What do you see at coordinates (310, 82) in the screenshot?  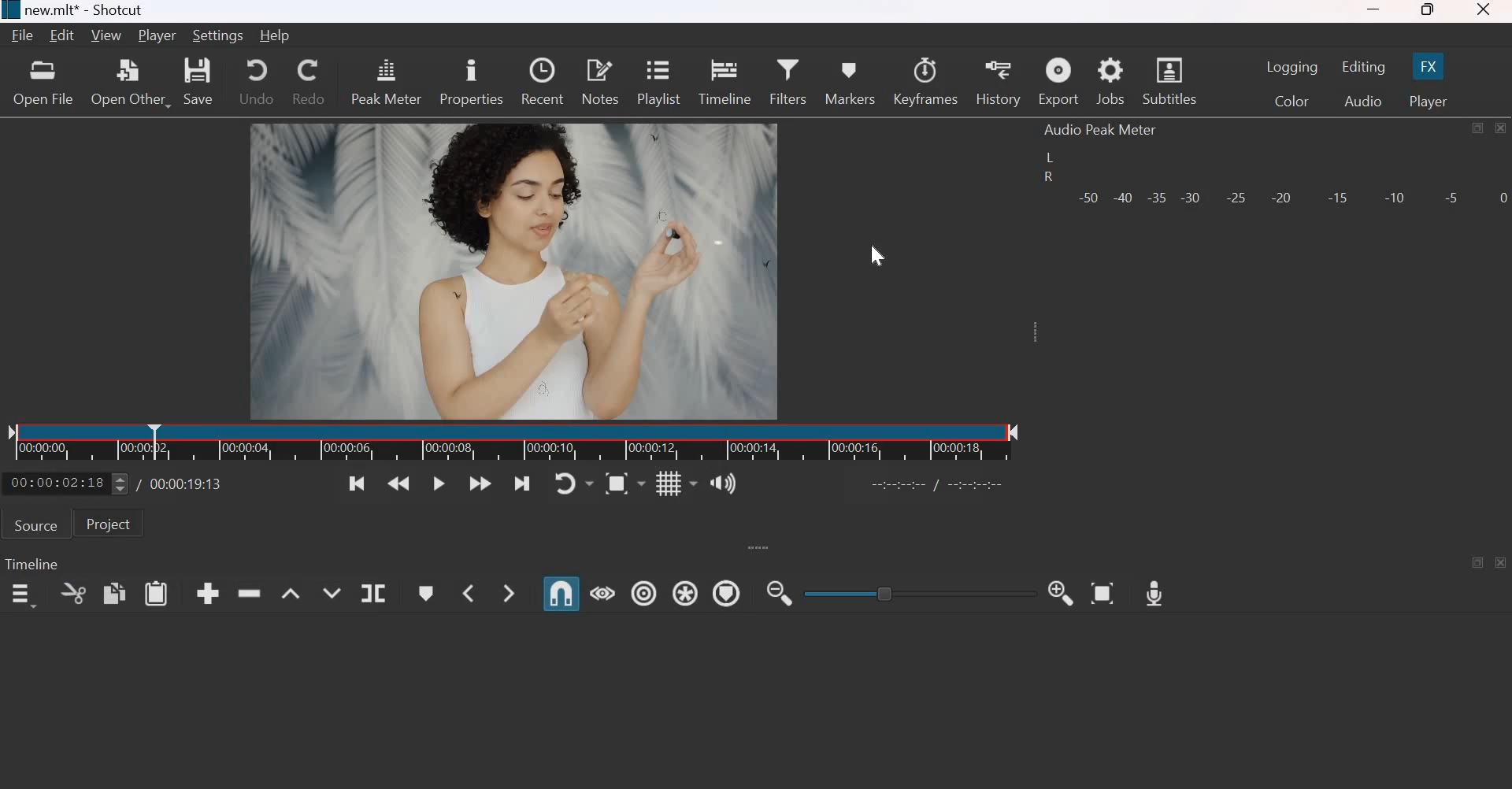 I see `Redo` at bounding box center [310, 82].